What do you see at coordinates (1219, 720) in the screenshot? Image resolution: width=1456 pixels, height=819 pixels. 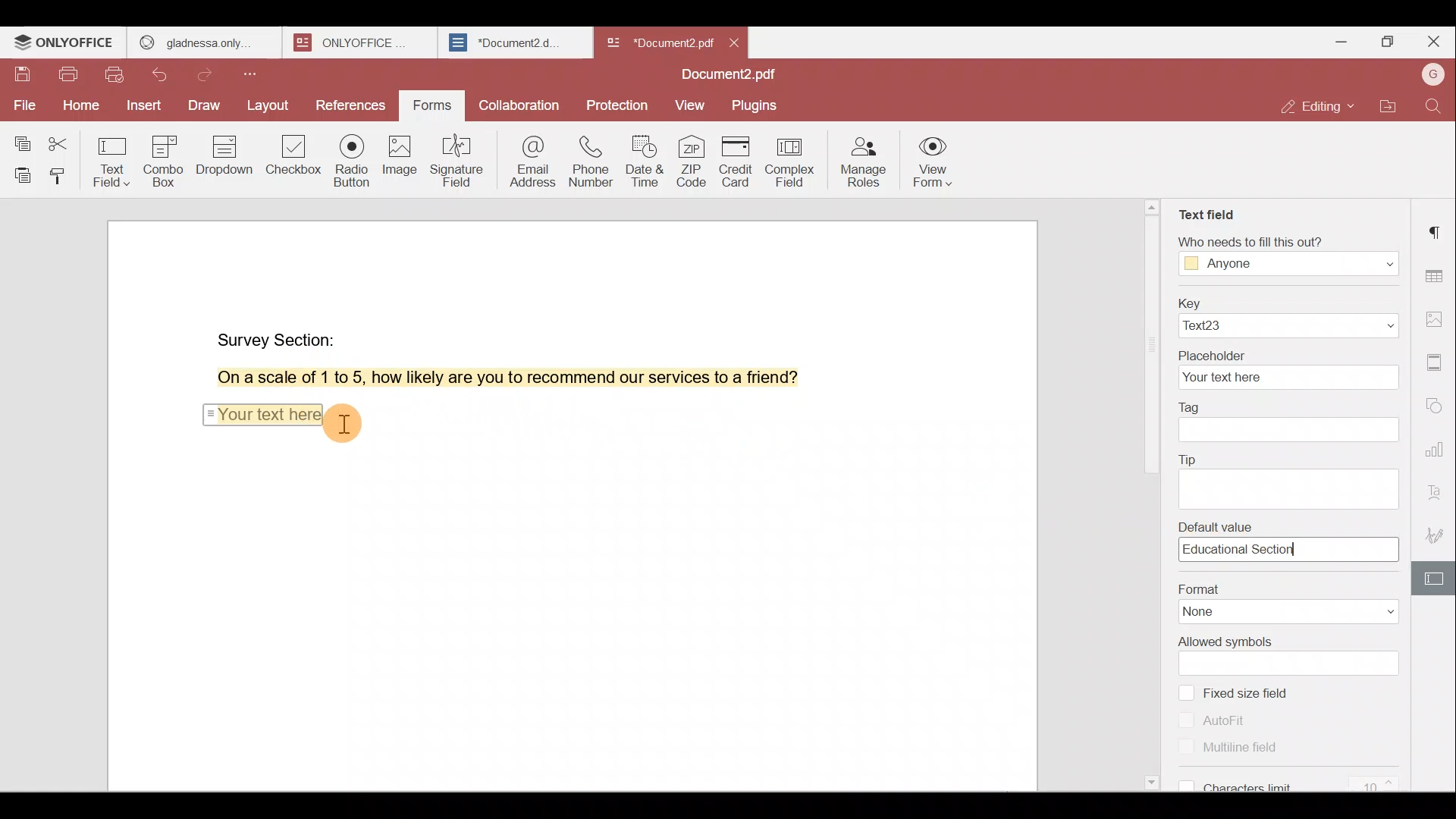 I see `Autofit` at bounding box center [1219, 720].